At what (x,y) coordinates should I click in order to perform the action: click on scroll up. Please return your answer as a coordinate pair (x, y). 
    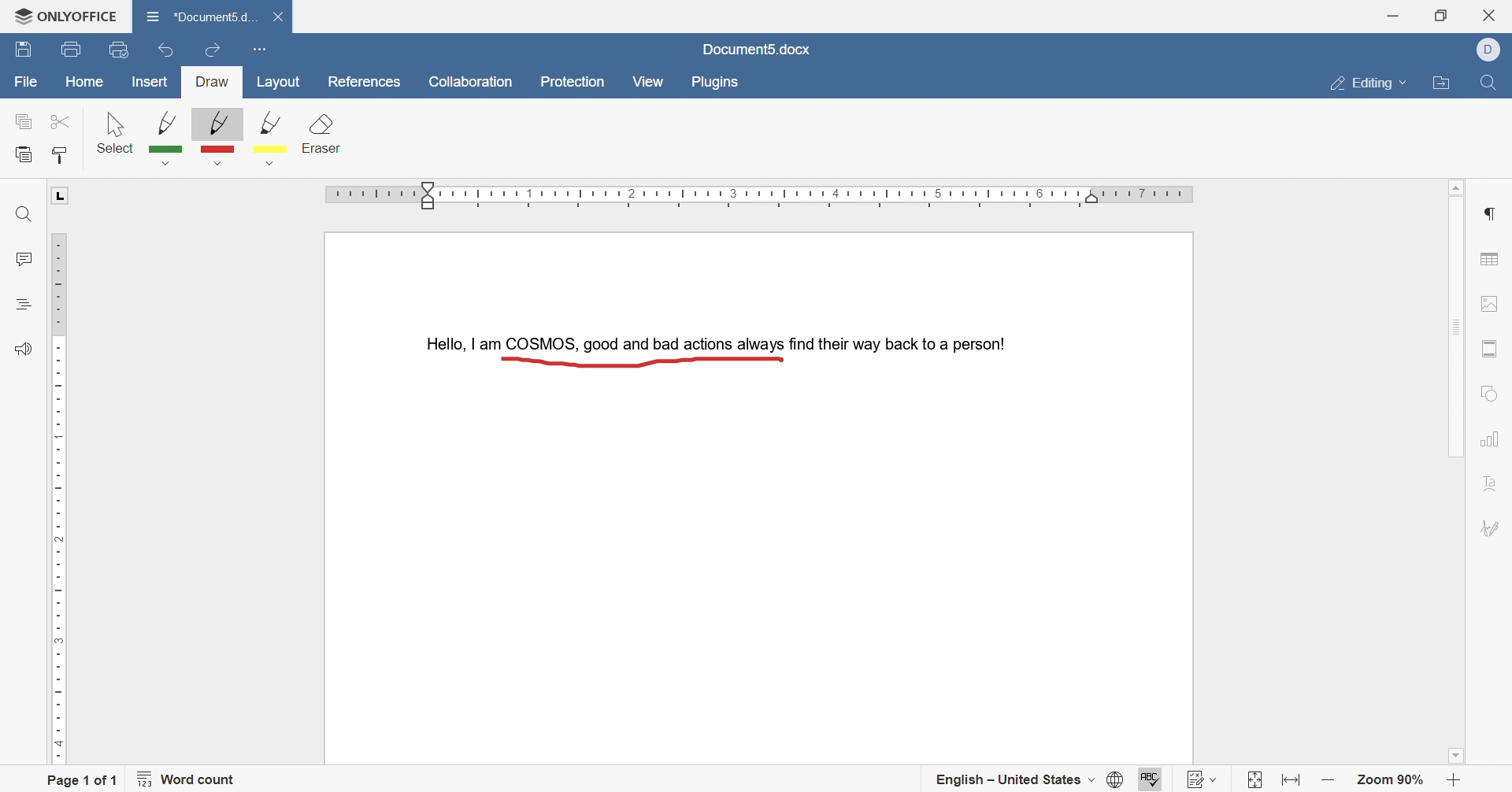
    Looking at the image, I should click on (1461, 184).